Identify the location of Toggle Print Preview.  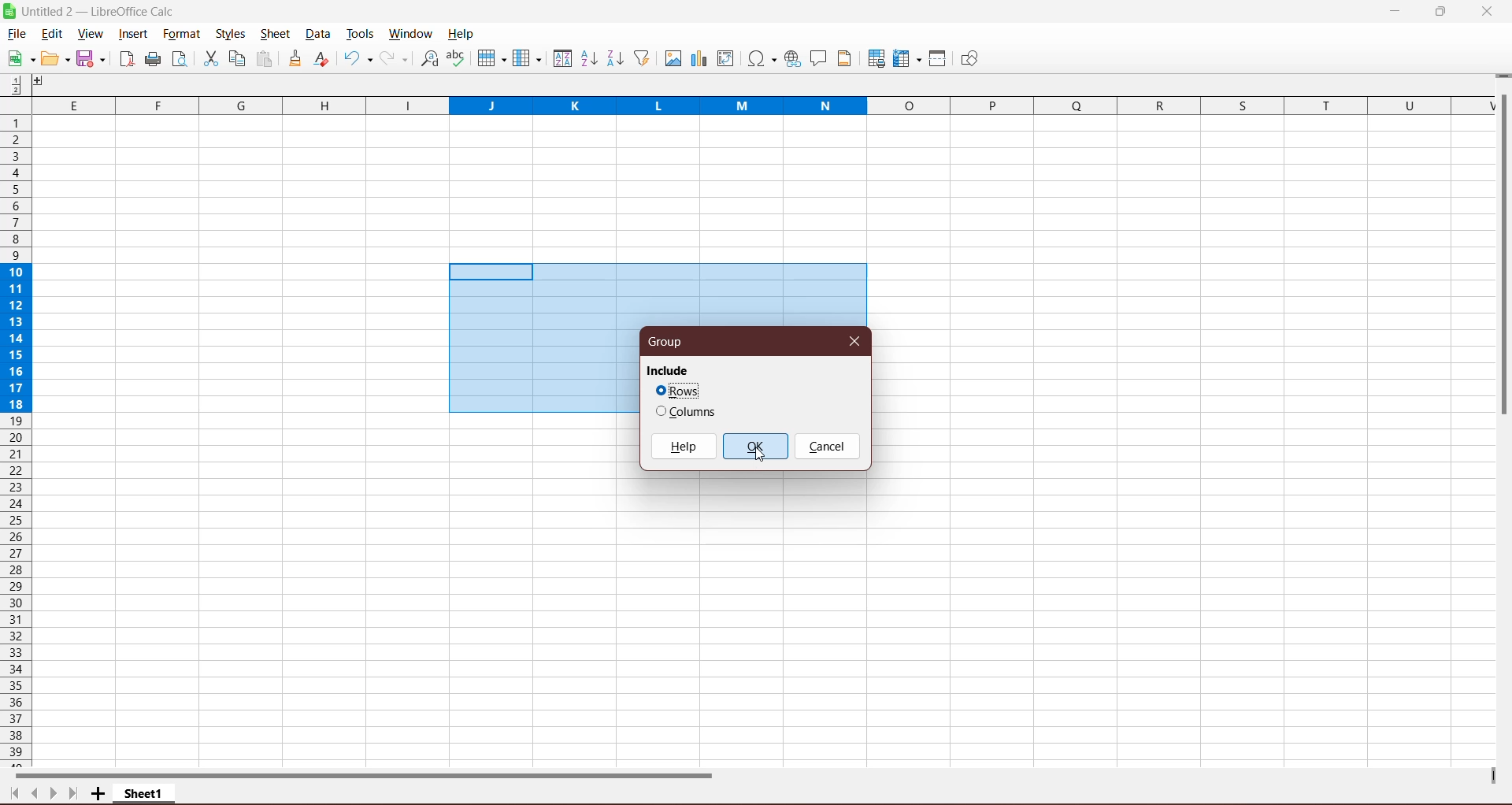
(182, 59).